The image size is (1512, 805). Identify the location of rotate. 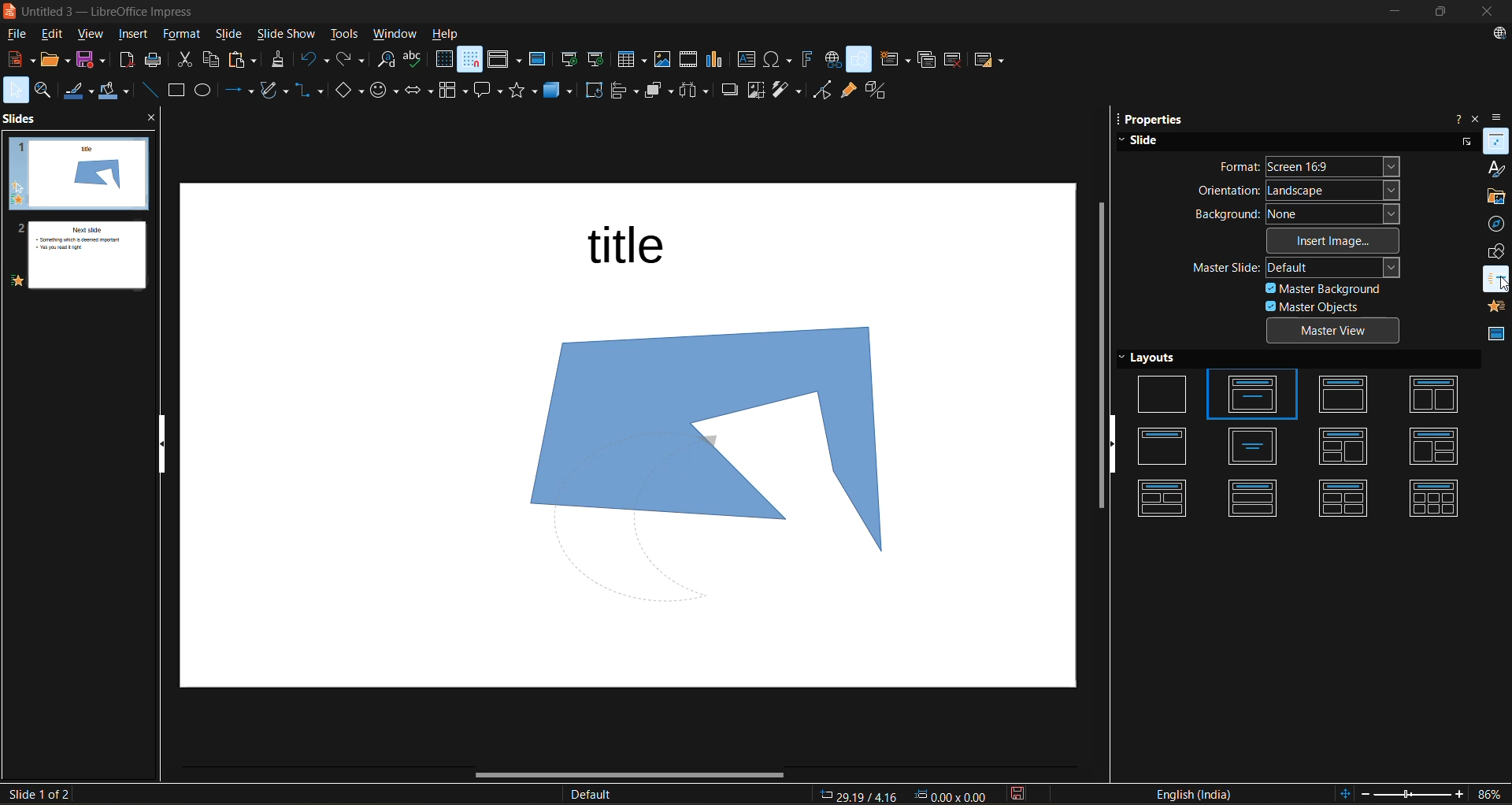
(596, 91).